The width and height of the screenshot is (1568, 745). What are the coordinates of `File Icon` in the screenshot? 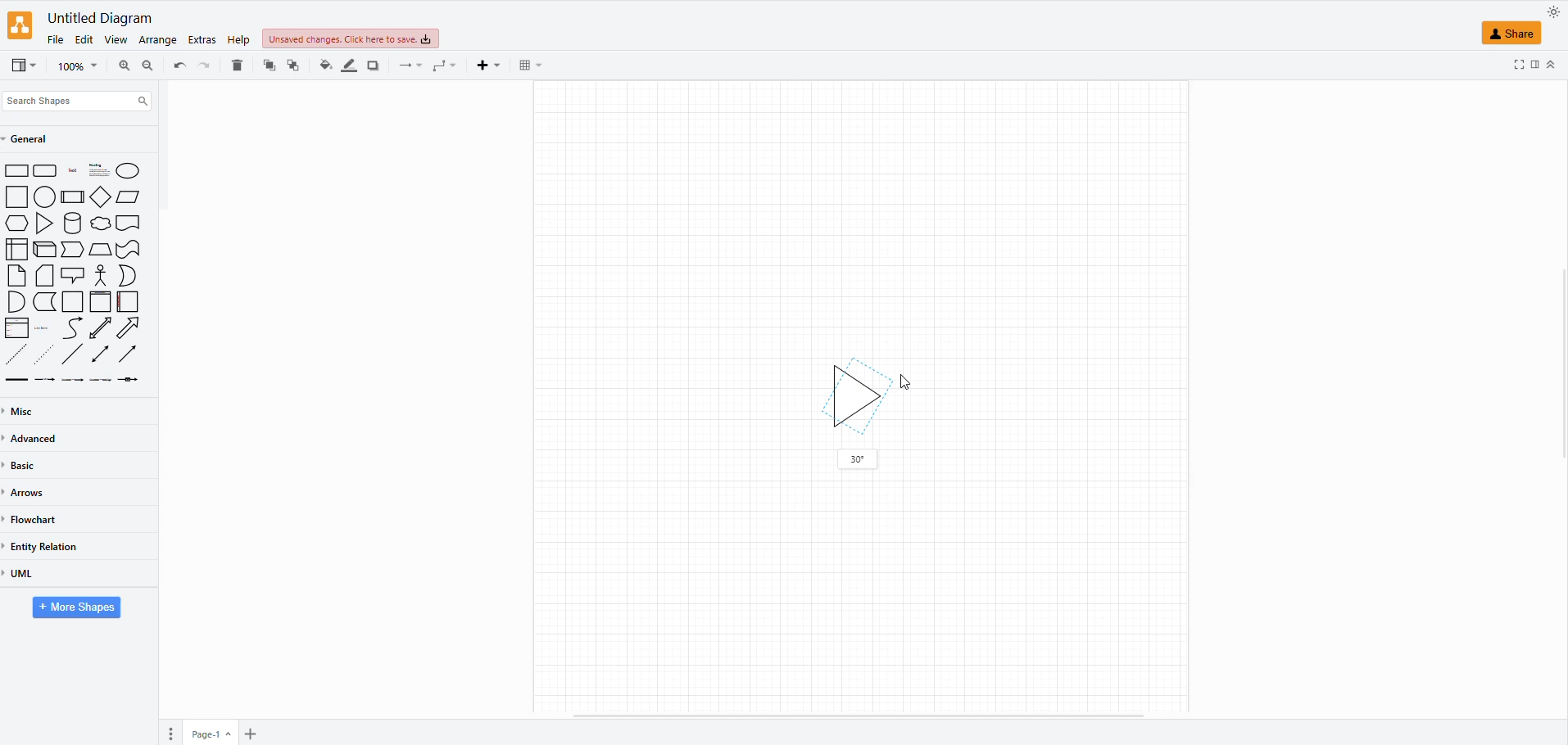 It's located at (45, 276).